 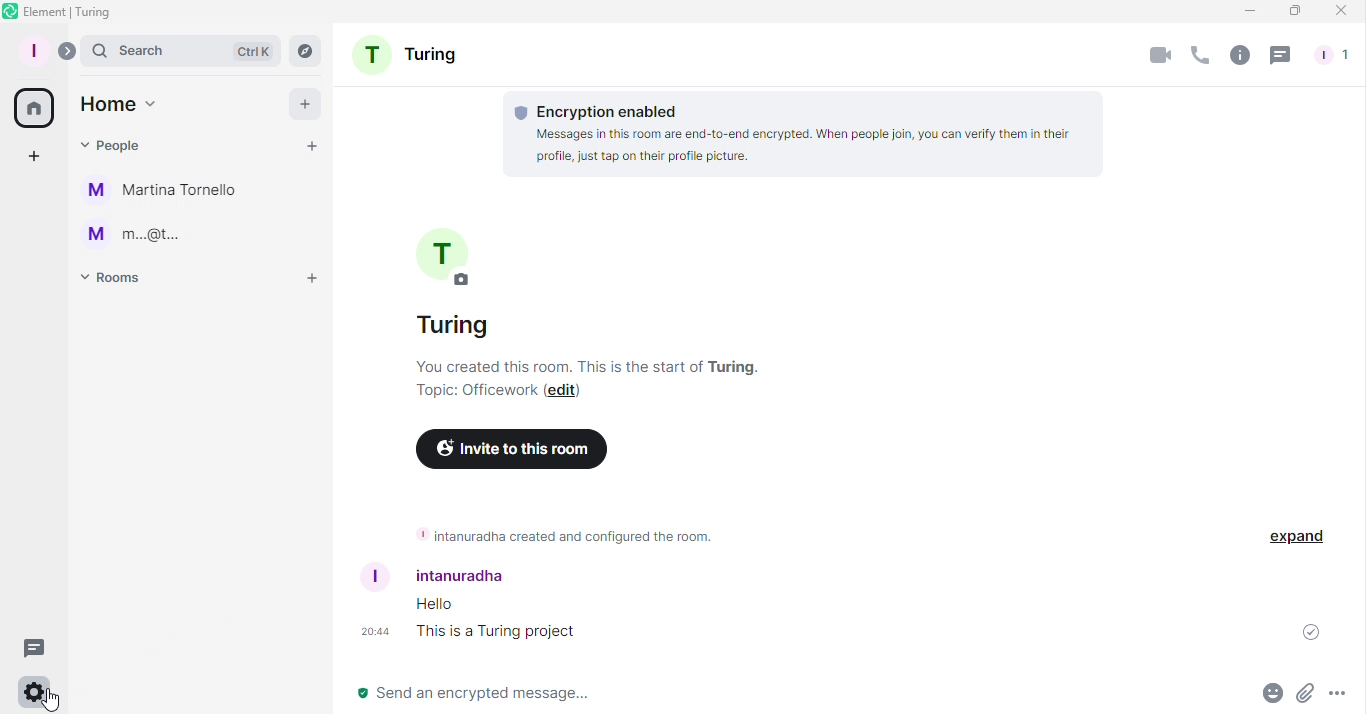 What do you see at coordinates (116, 280) in the screenshot?
I see `Rooms` at bounding box center [116, 280].